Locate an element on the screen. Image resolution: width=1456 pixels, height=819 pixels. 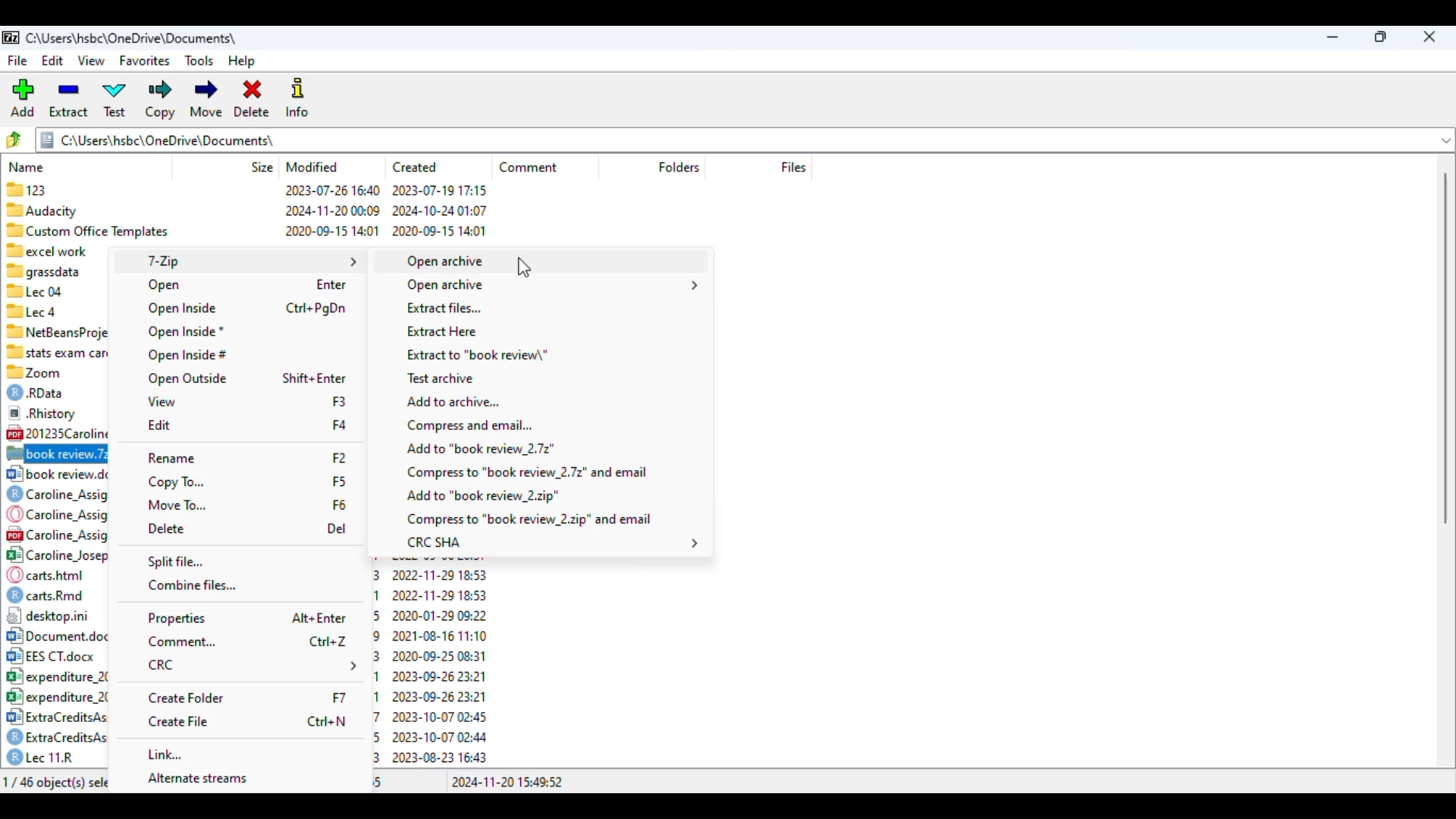
current folder is located at coordinates (746, 140).